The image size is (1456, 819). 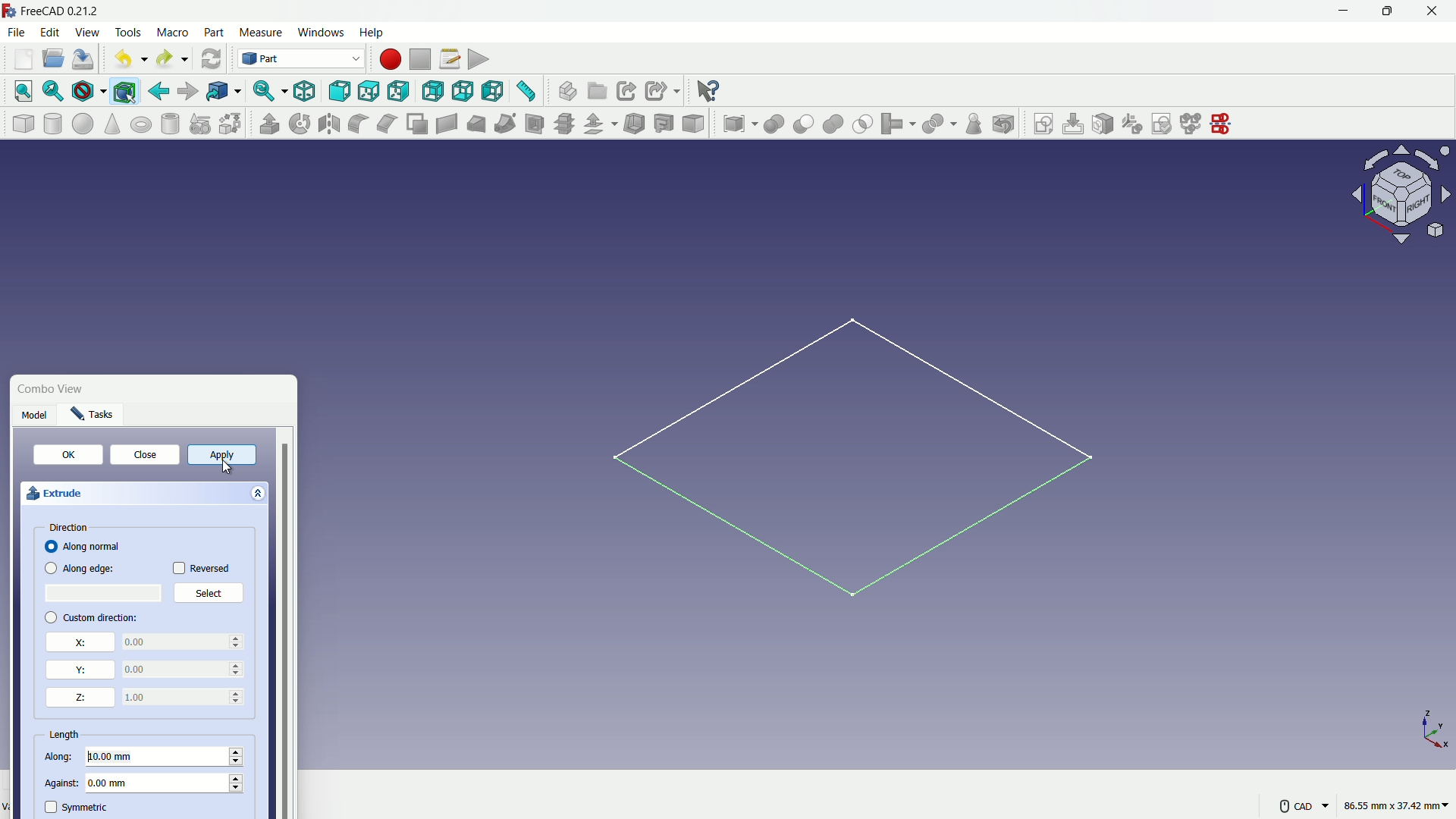 What do you see at coordinates (1072, 124) in the screenshot?
I see `edit sketch` at bounding box center [1072, 124].